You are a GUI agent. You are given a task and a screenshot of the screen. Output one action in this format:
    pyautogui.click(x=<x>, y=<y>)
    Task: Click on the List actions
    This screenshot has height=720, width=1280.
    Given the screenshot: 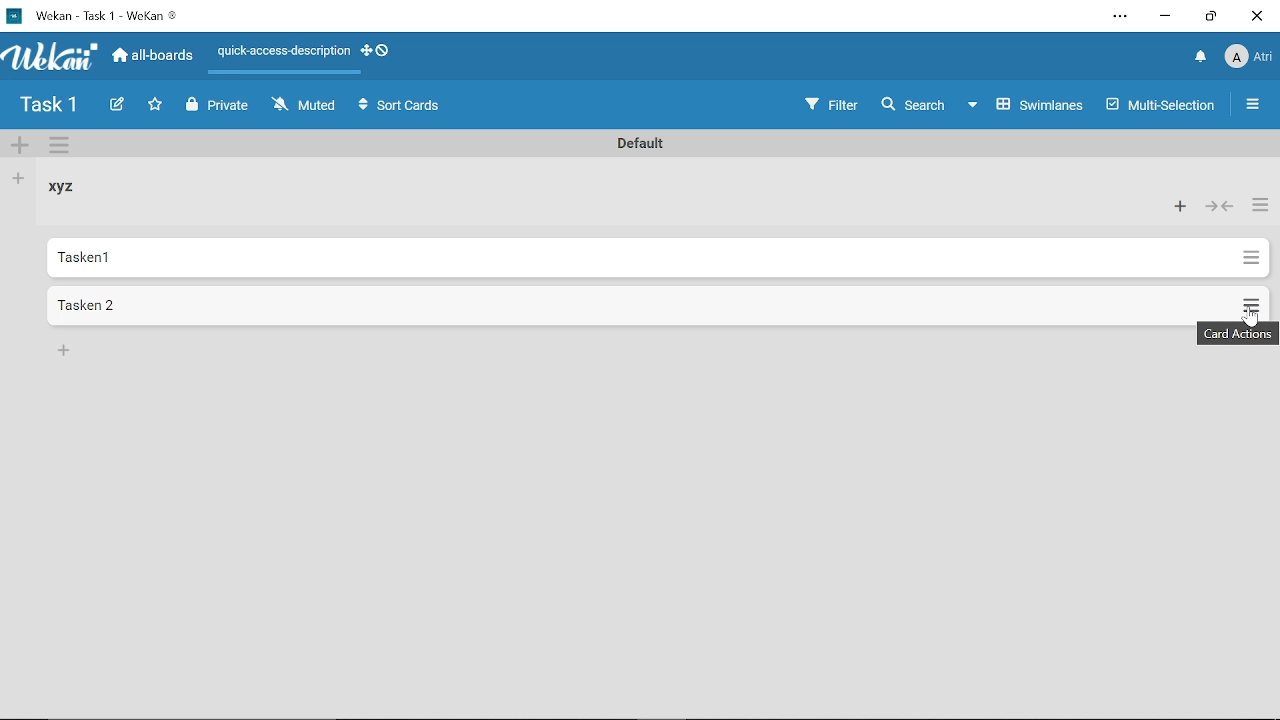 What is the action you would take?
    pyautogui.click(x=1262, y=208)
    